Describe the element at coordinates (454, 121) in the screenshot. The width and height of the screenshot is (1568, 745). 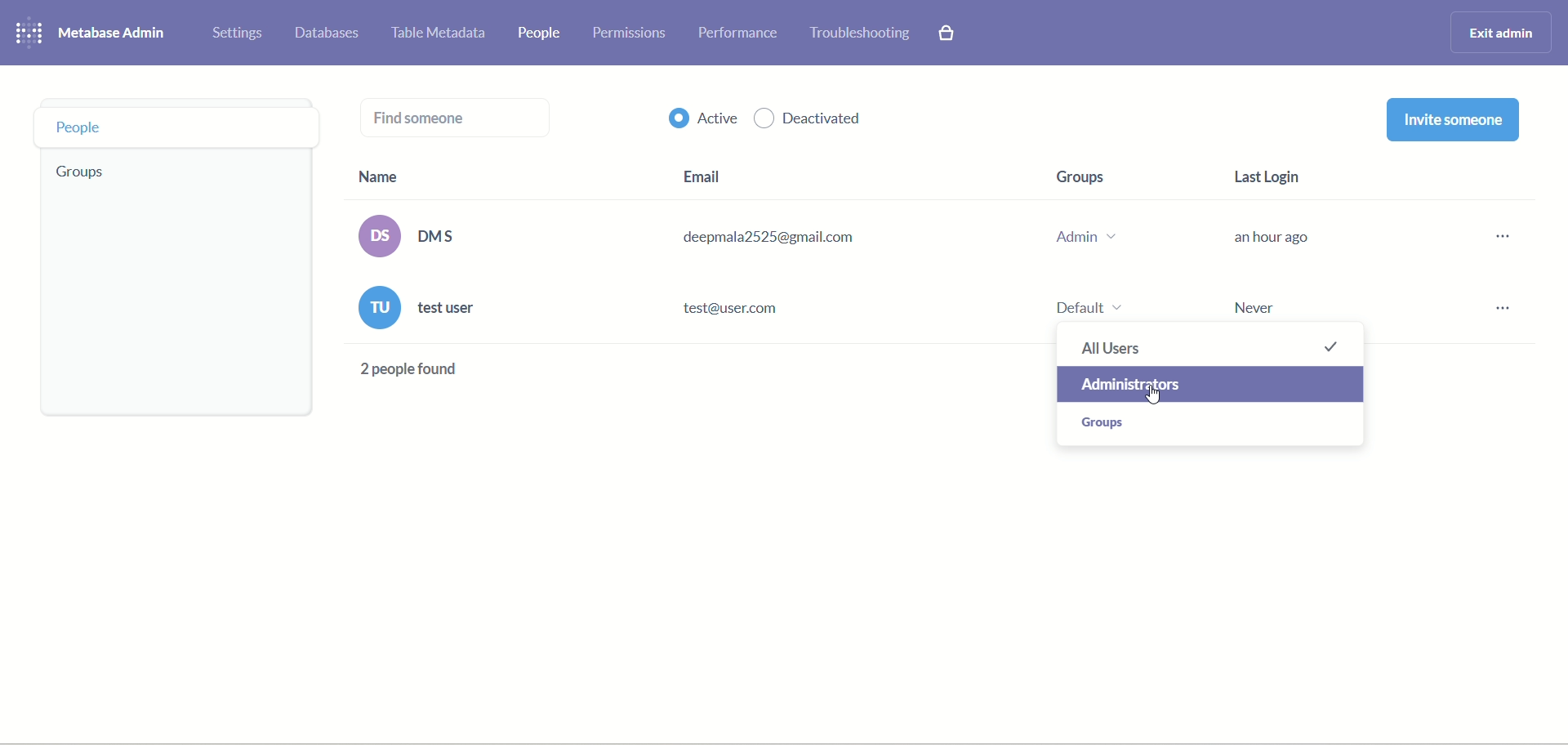
I see `find someone` at that location.